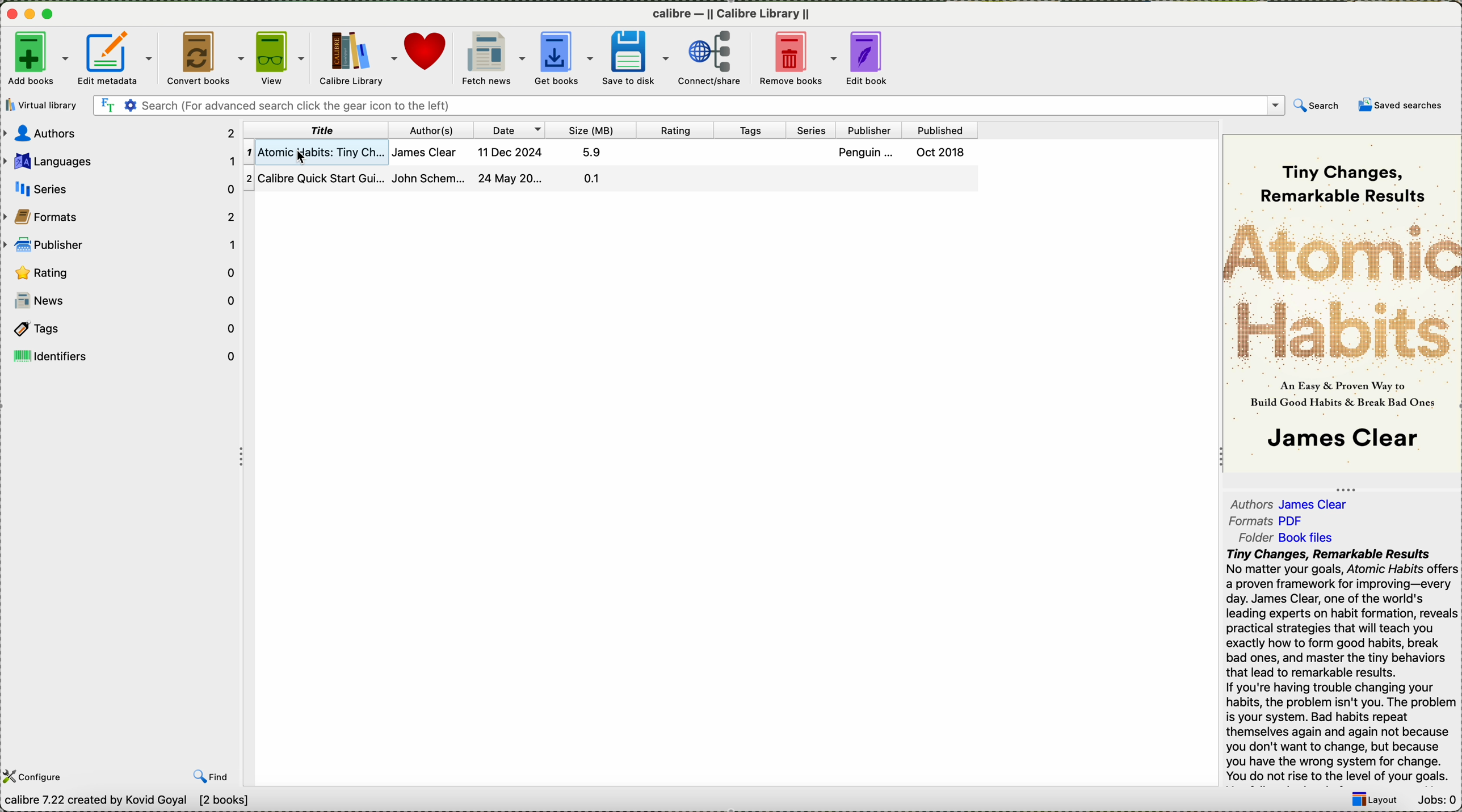 This screenshot has width=1462, height=812. What do you see at coordinates (593, 132) in the screenshot?
I see `size` at bounding box center [593, 132].